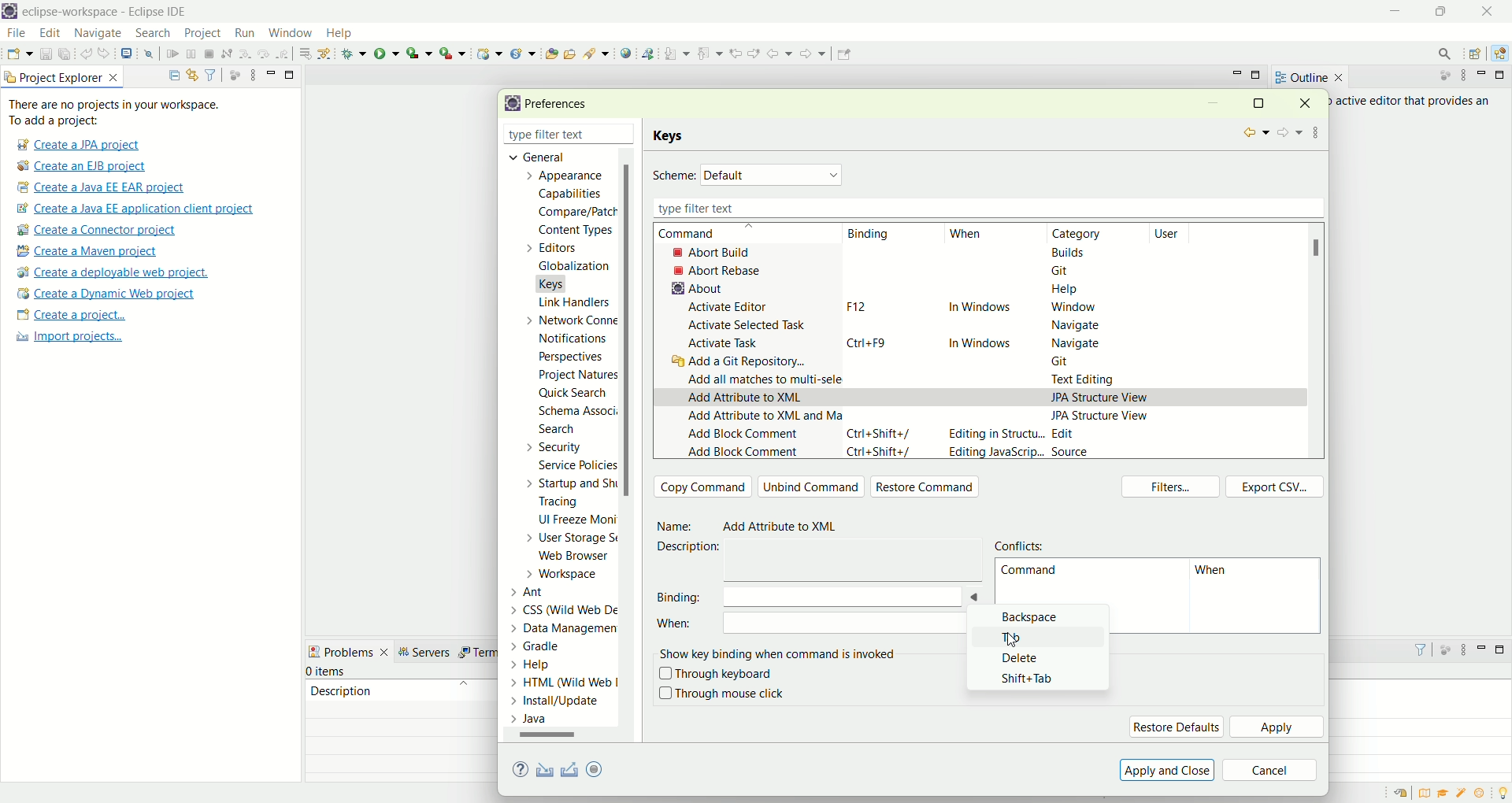  Describe the element at coordinates (1275, 487) in the screenshot. I see `export CSV` at that location.